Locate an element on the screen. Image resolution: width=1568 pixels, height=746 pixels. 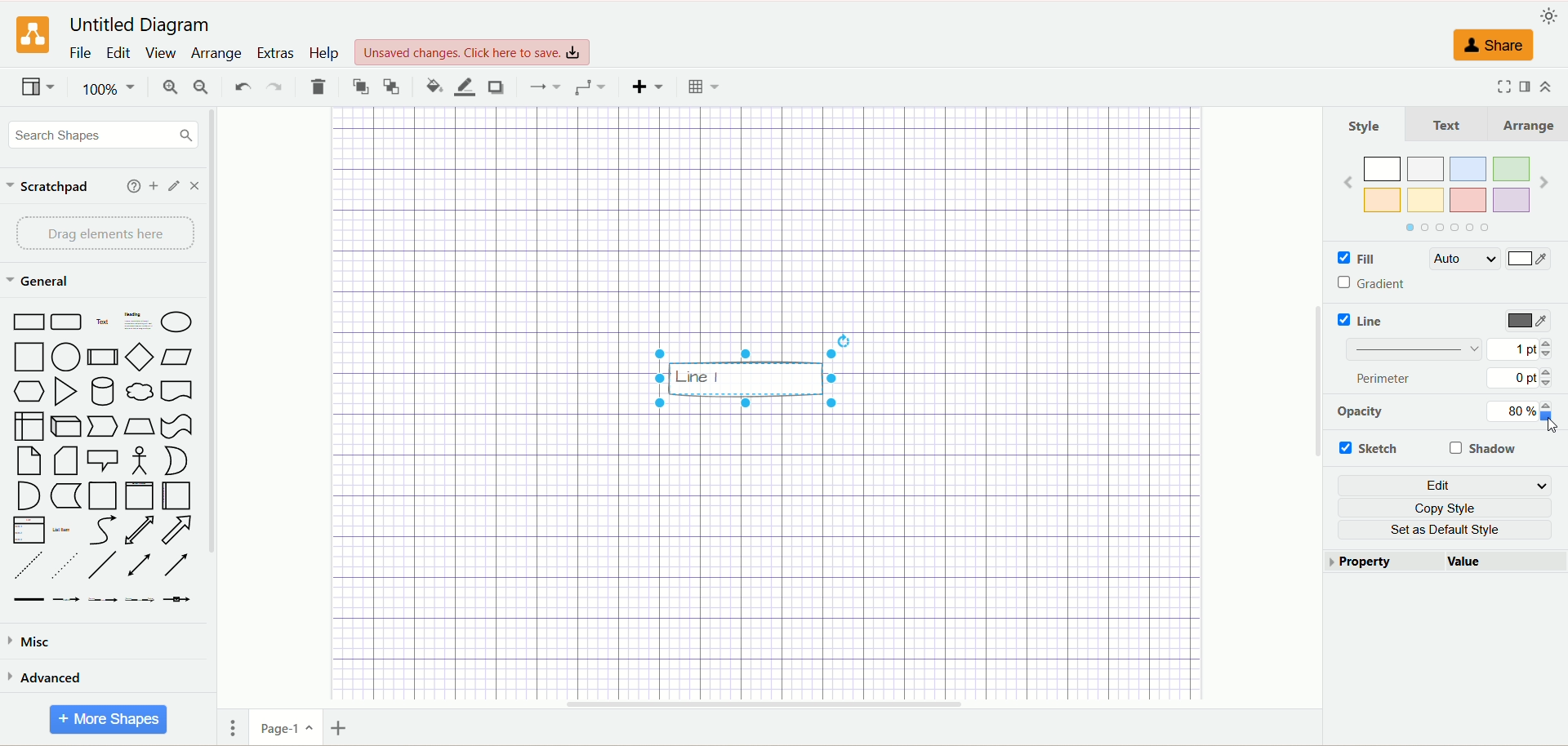
 is located at coordinates (746, 372).